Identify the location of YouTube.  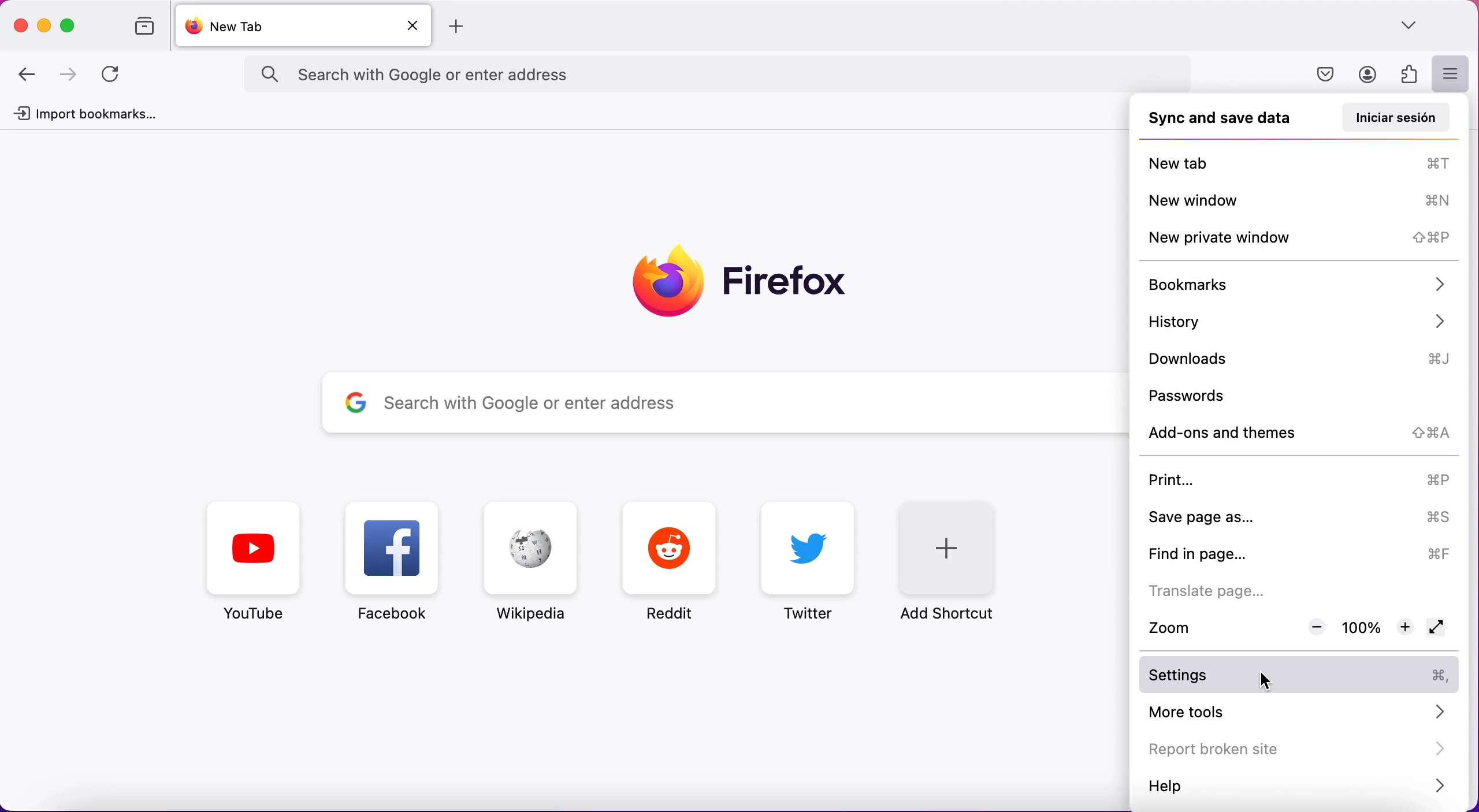
(255, 563).